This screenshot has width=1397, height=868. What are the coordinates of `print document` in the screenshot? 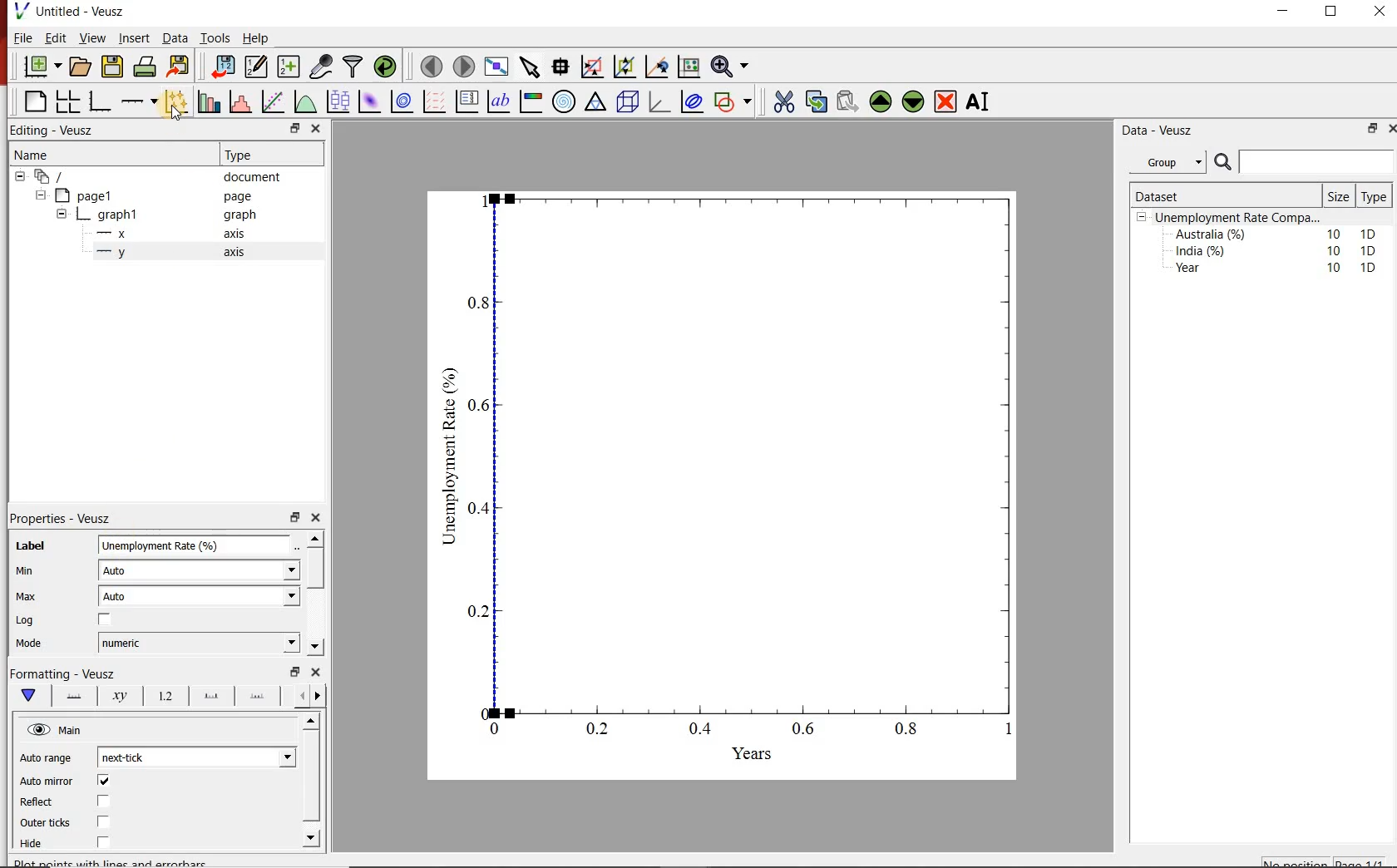 It's located at (145, 65).